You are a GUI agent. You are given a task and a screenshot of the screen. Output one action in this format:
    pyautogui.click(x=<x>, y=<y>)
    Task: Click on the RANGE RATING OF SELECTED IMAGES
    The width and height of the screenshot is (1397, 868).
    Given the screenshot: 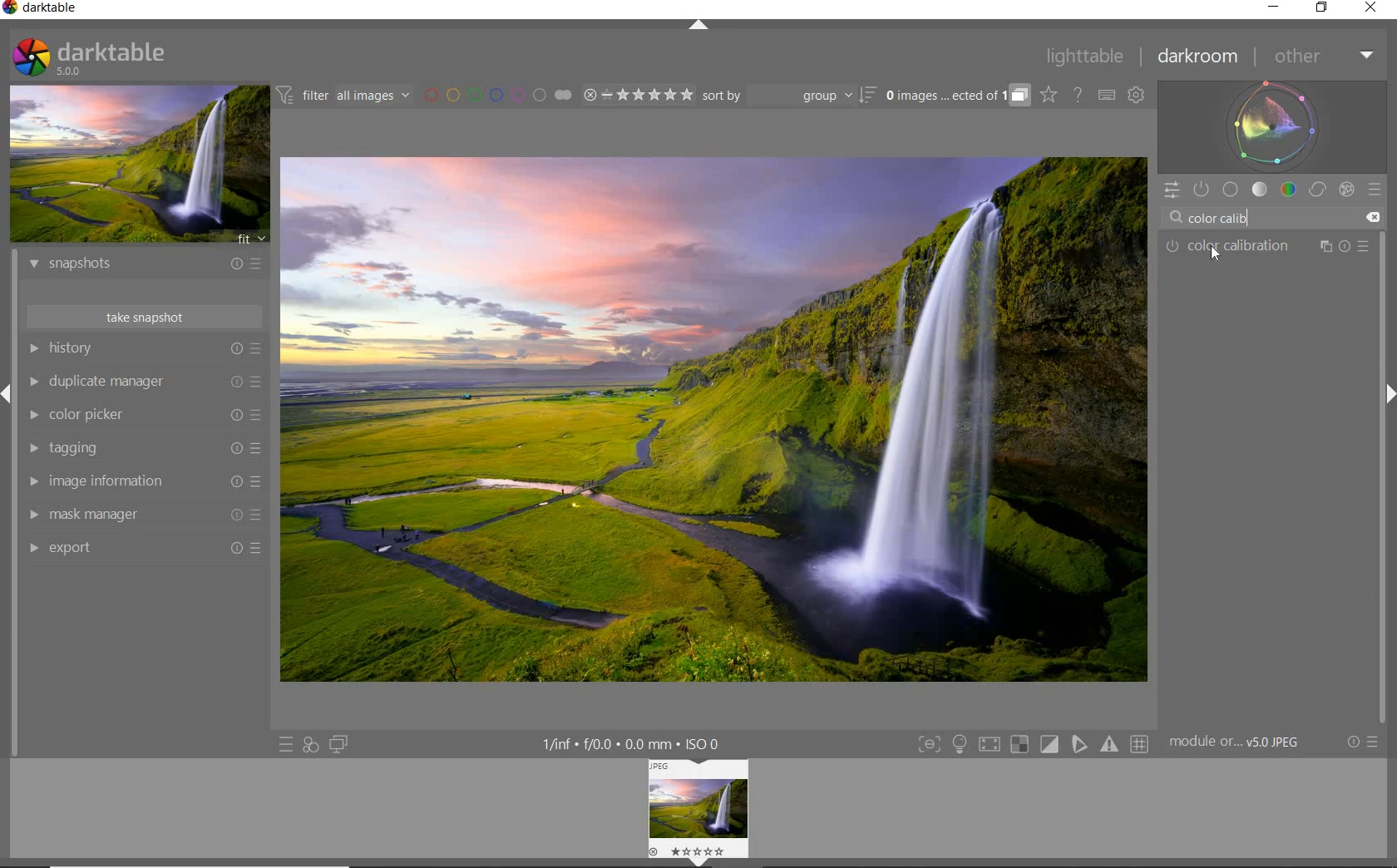 What is the action you would take?
    pyautogui.click(x=638, y=94)
    